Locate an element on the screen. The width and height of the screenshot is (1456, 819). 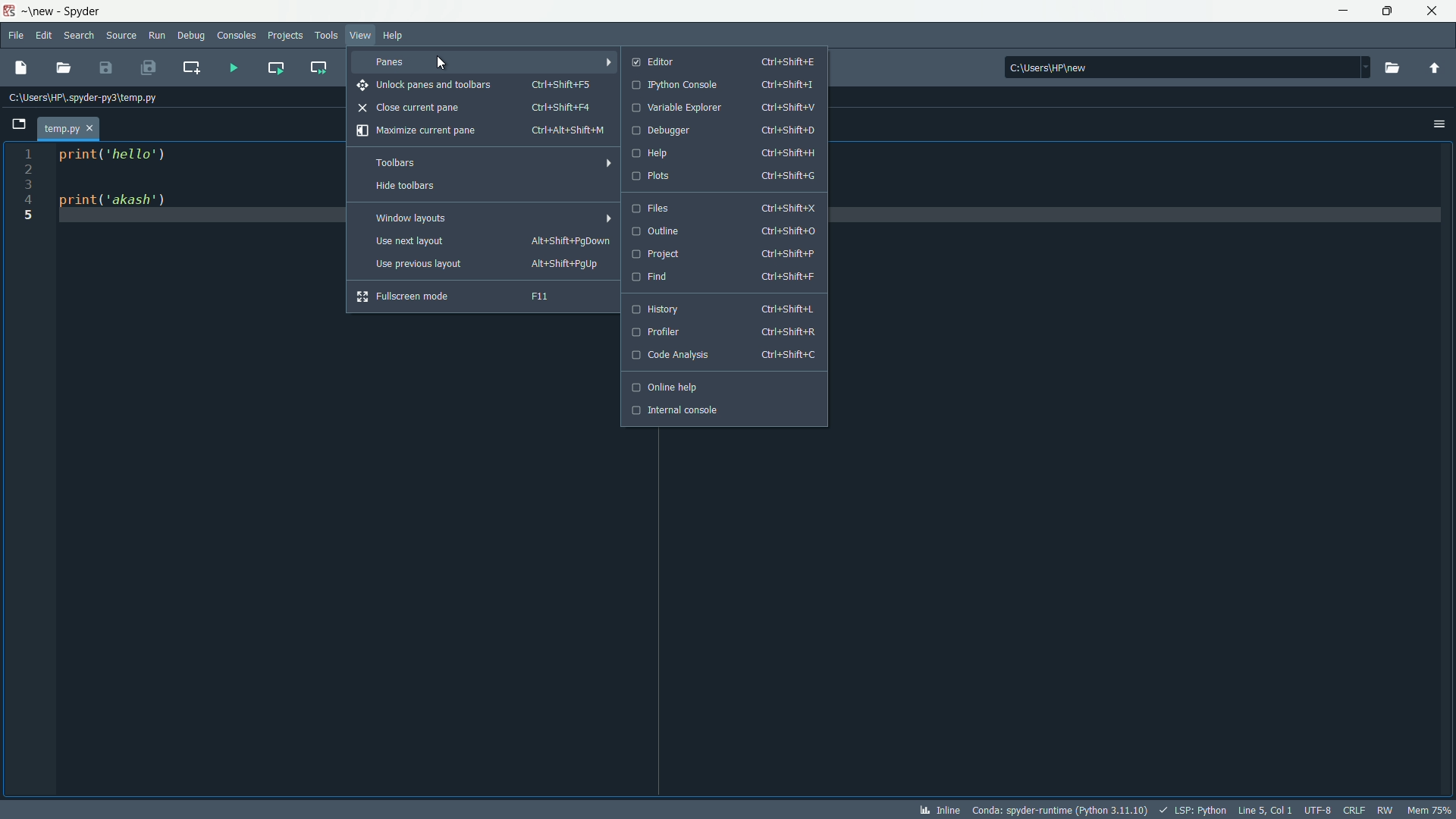
debugger is located at coordinates (723, 132).